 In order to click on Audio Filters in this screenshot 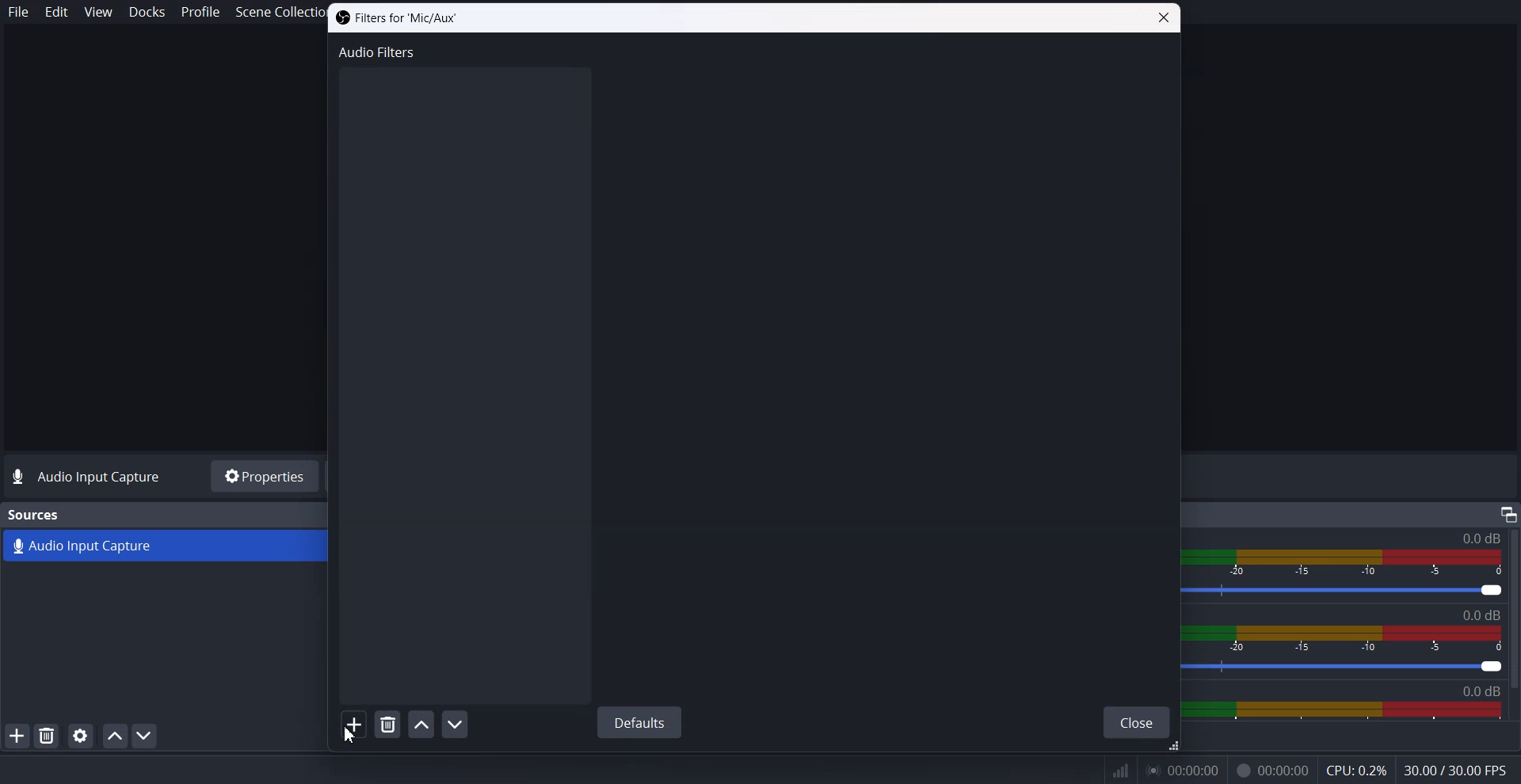, I will do `click(378, 51)`.